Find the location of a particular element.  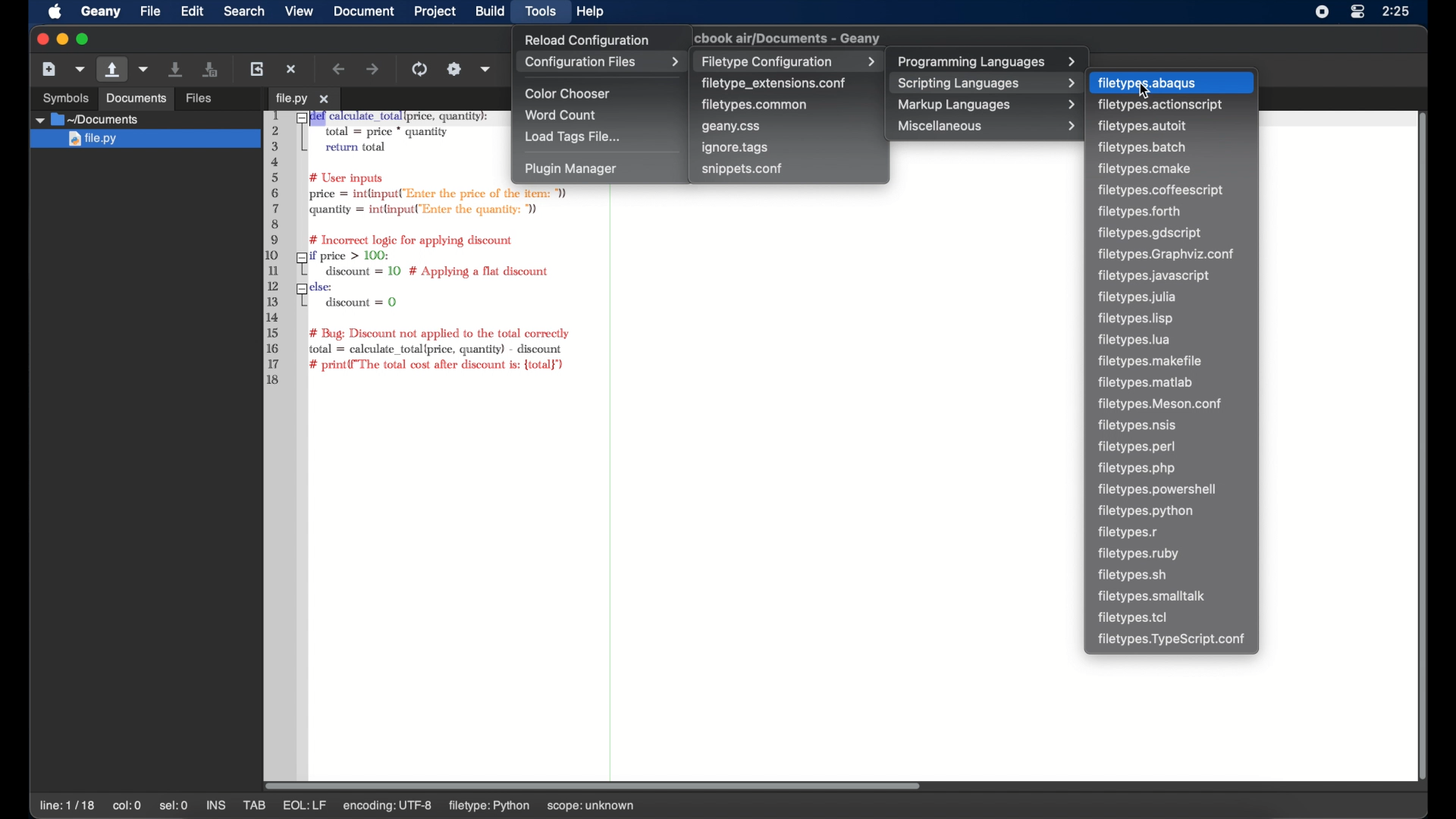

ins is located at coordinates (217, 805).